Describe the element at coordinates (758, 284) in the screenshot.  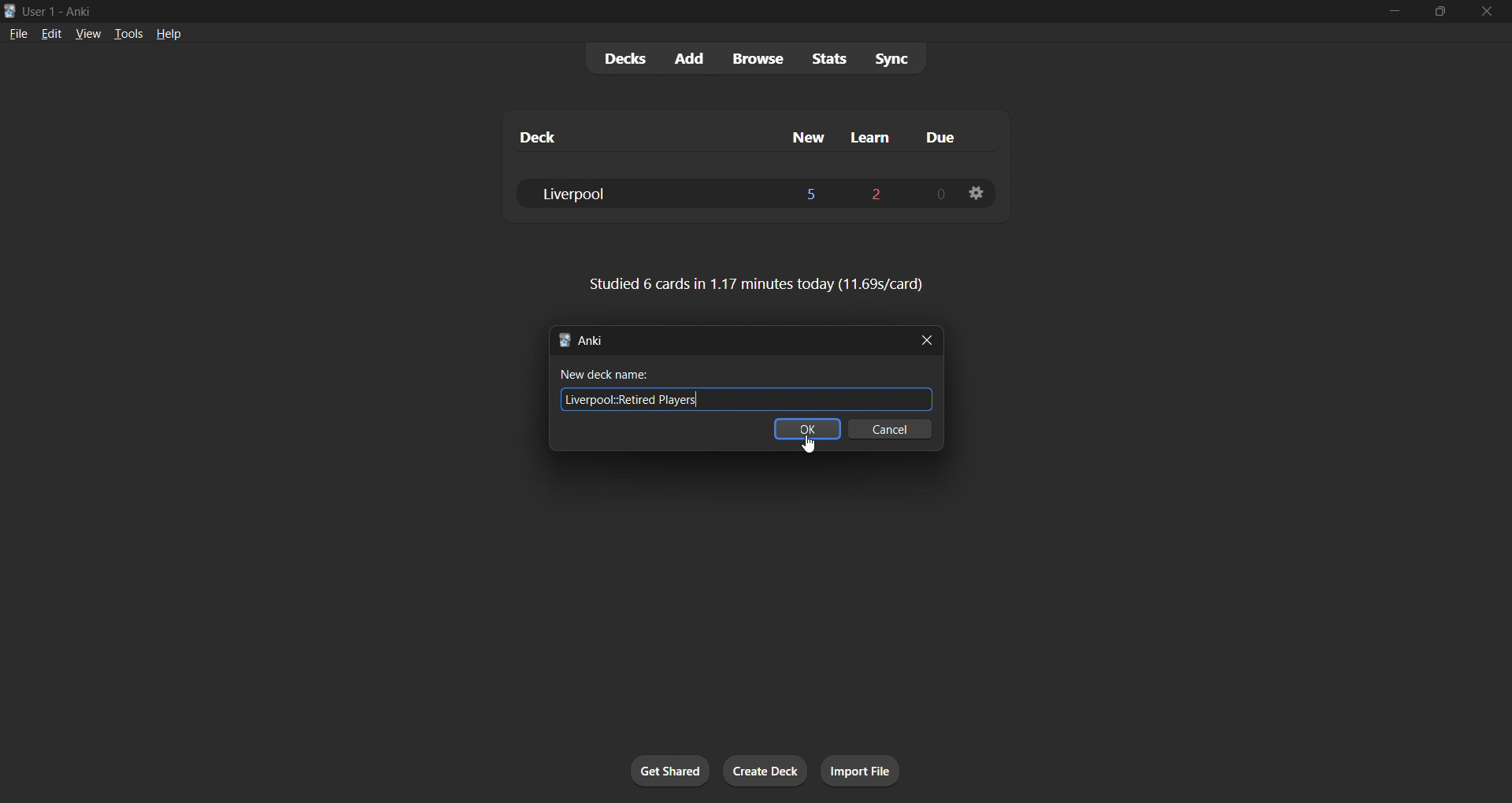
I see `card stats` at that location.